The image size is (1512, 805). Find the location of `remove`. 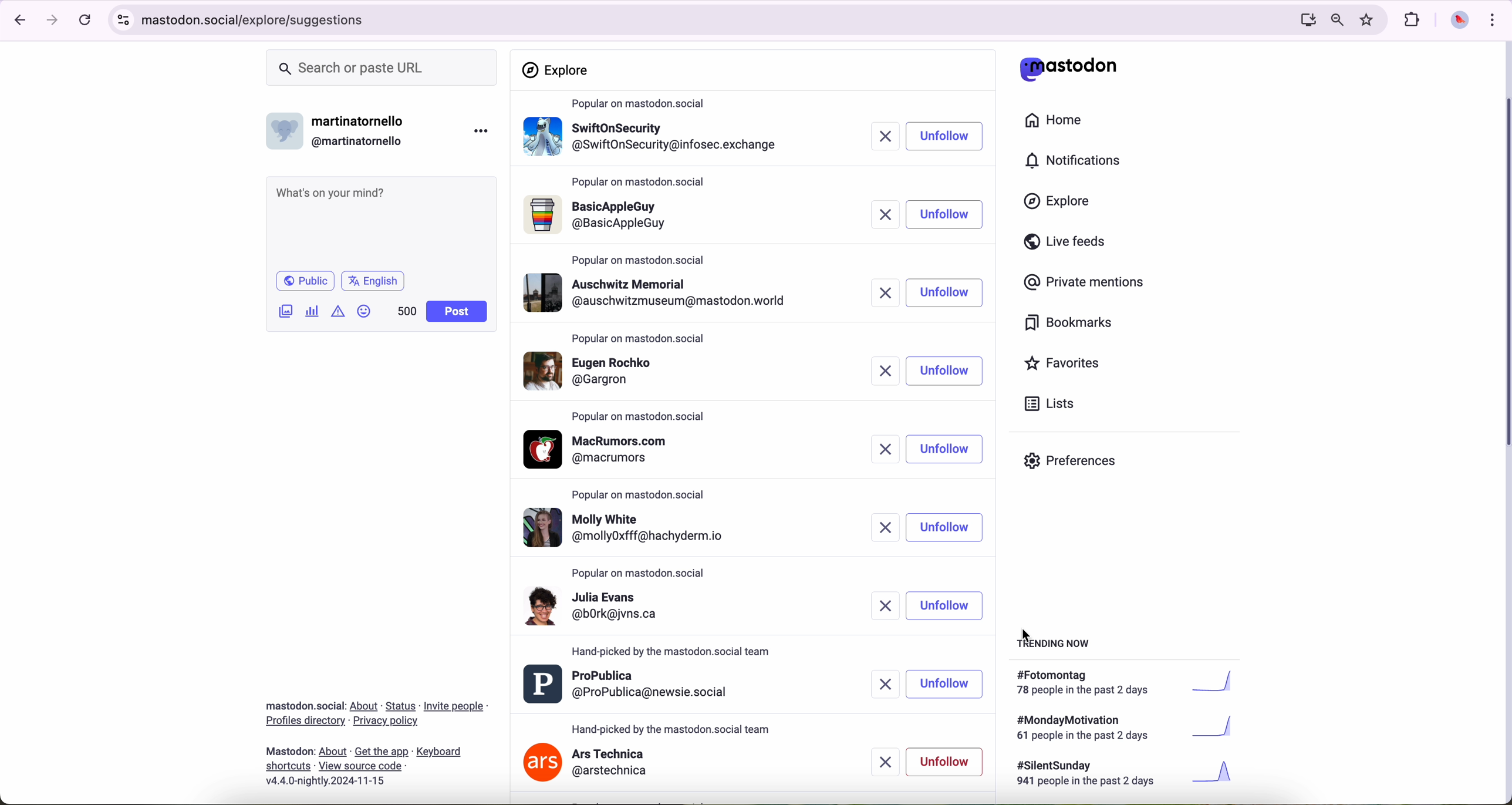

remove is located at coordinates (885, 292).